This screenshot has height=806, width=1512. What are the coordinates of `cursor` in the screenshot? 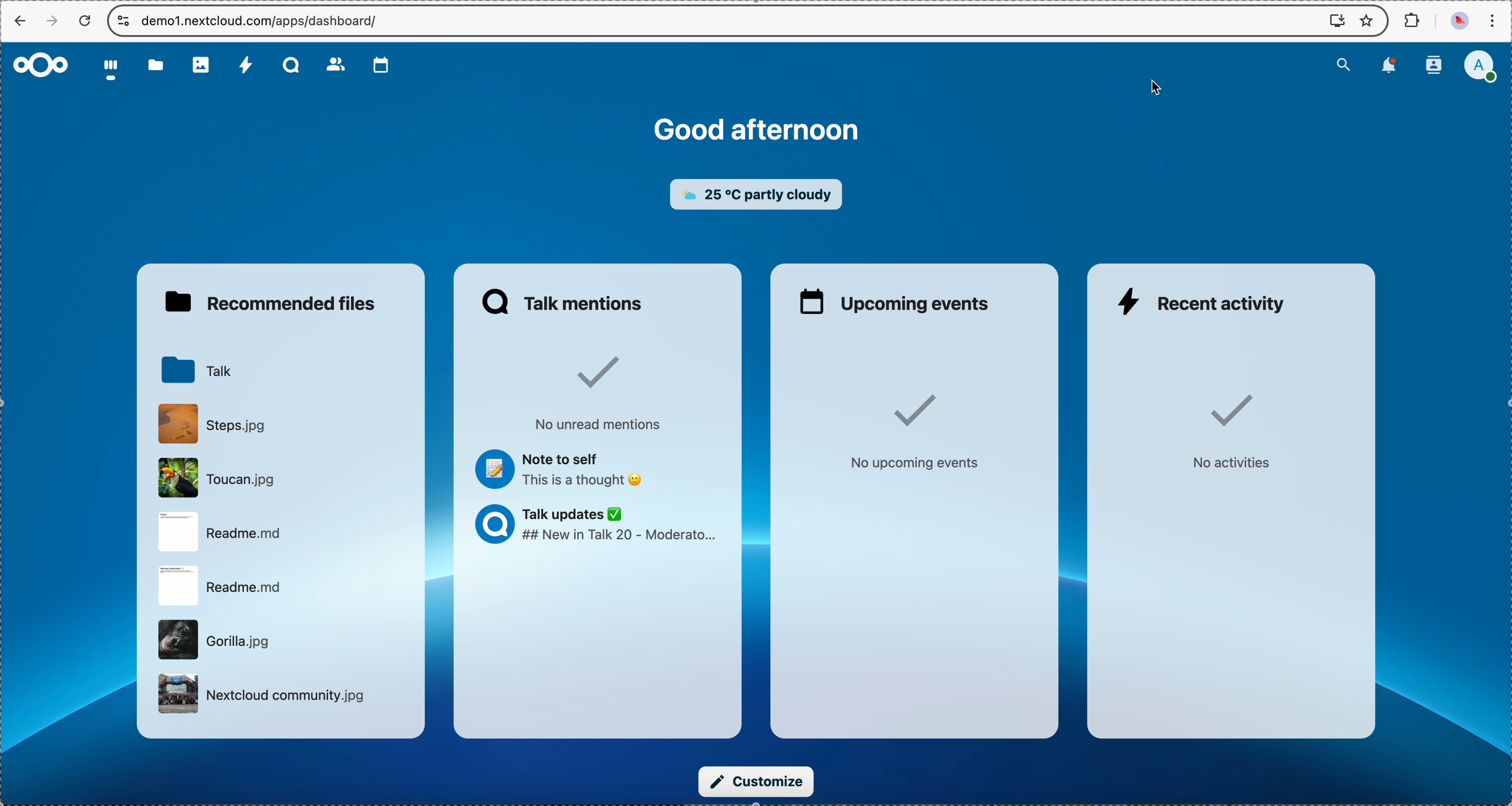 It's located at (1154, 87).